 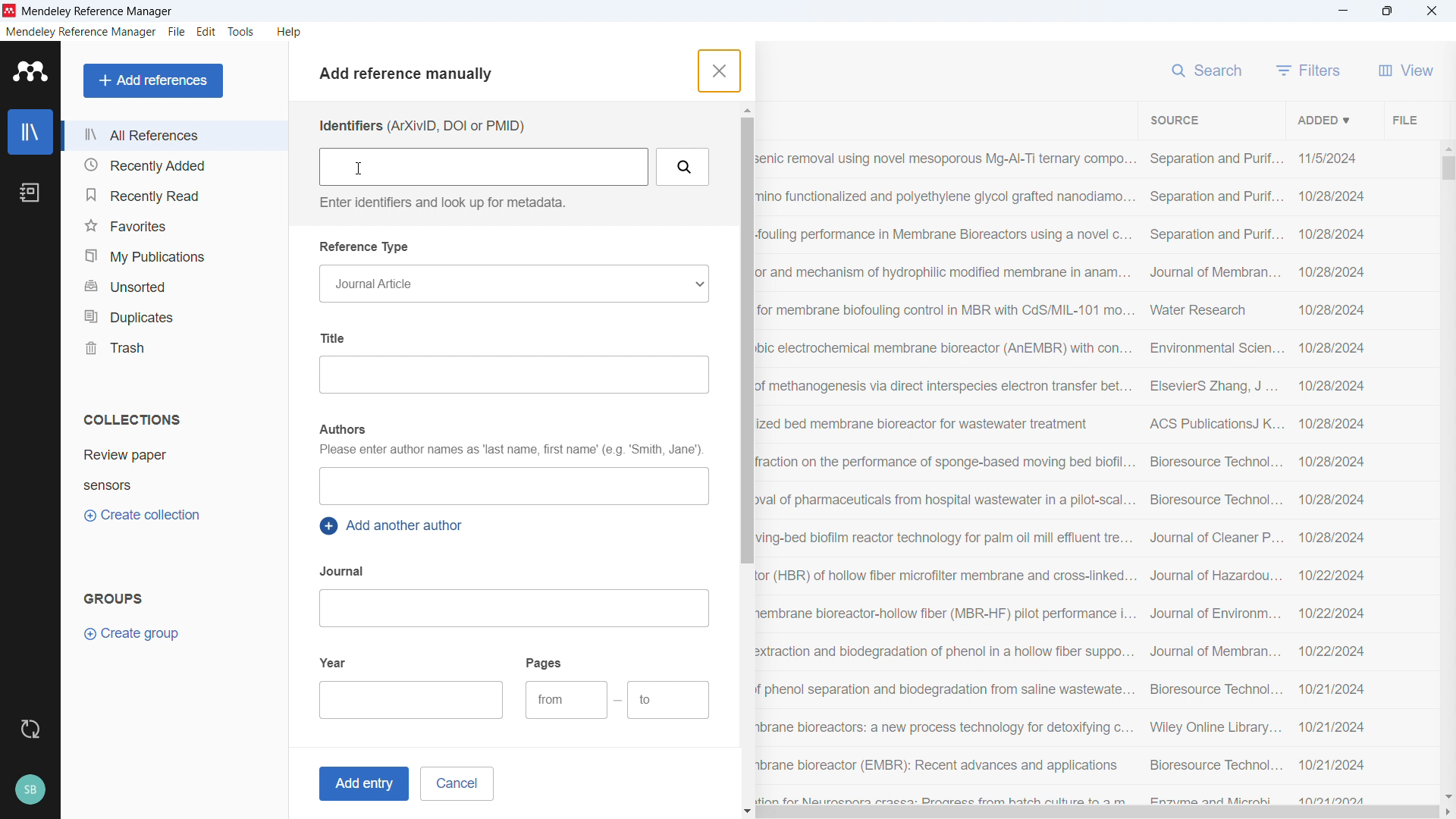 What do you see at coordinates (344, 571) in the screenshot?
I see `Journal` at bounding box center [344, 571].